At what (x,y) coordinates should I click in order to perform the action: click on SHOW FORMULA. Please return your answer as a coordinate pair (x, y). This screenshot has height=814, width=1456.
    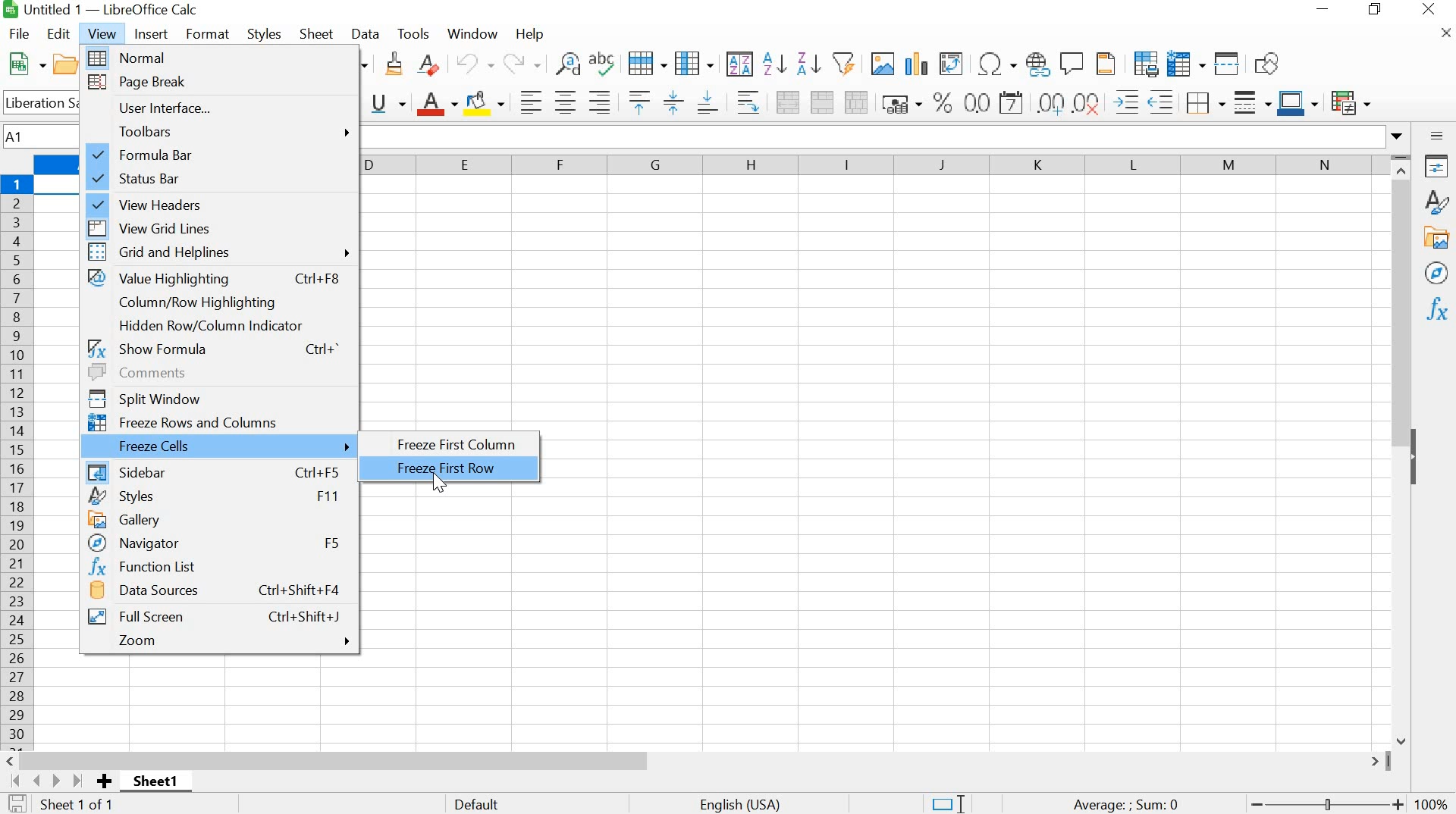
    Looking at the image, I should click on (214, 347).